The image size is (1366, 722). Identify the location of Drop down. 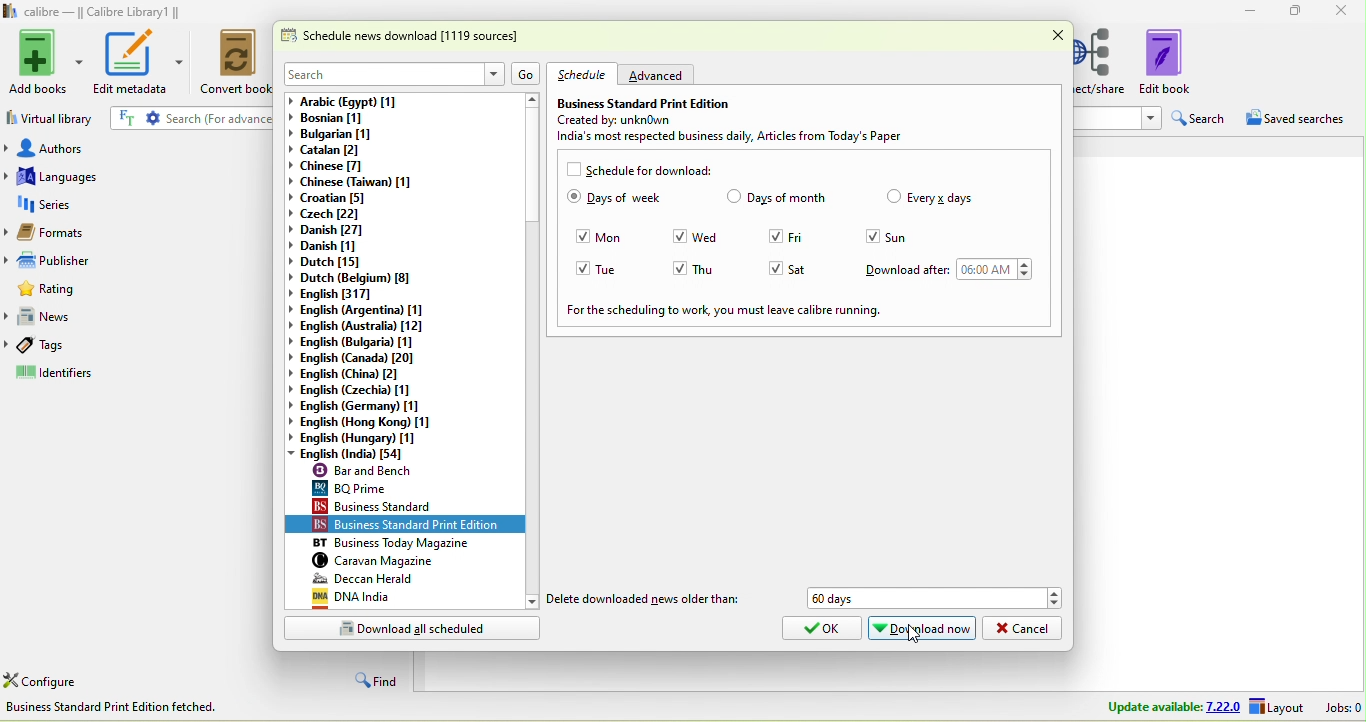
(1055, 599).